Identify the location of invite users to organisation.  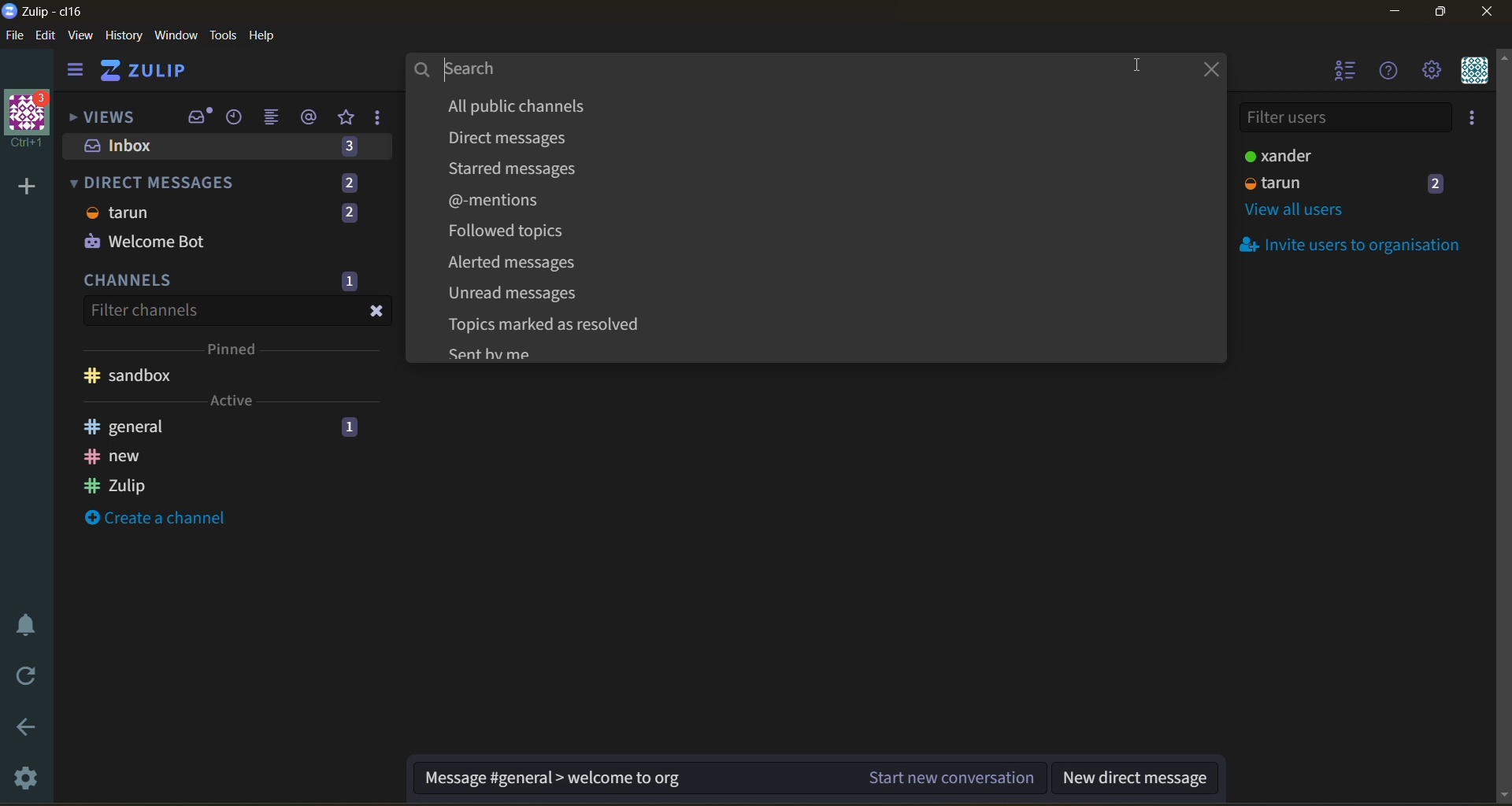
(1343, 243).